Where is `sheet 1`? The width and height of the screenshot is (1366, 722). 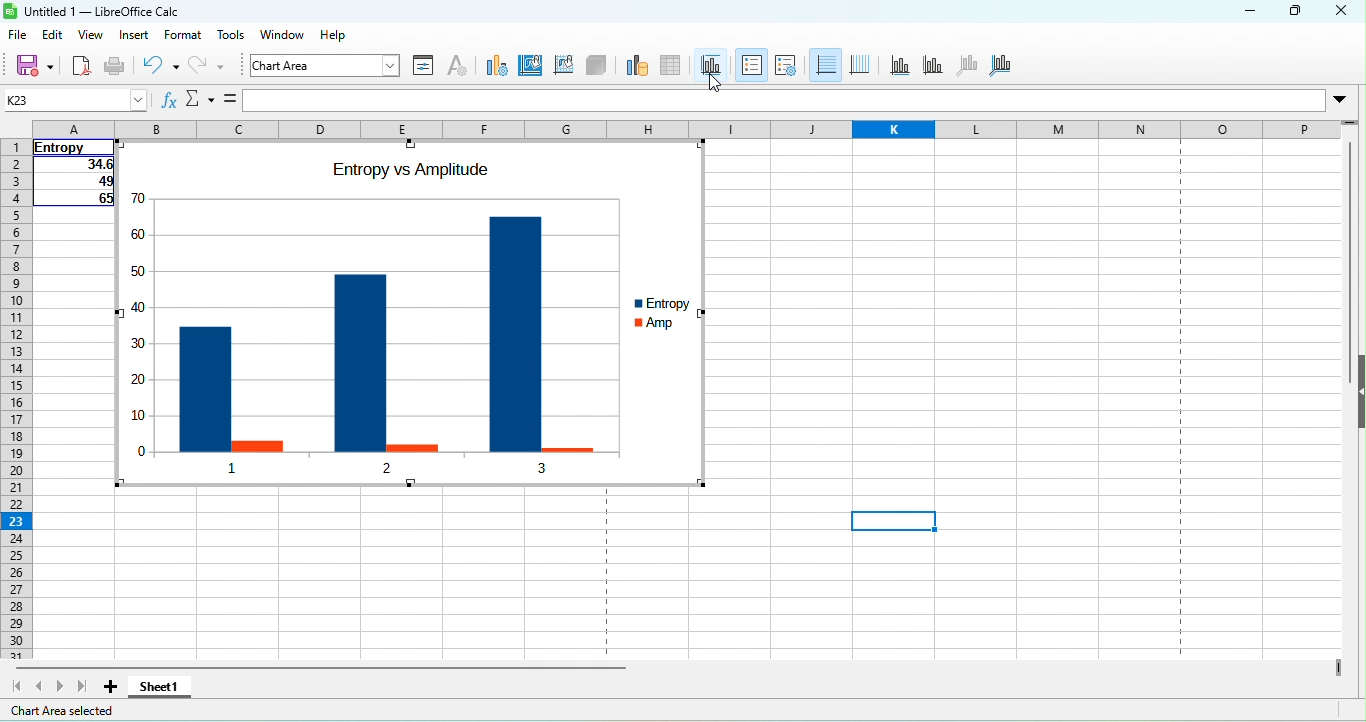 sheet 1 is located at coordinates (164, 687).